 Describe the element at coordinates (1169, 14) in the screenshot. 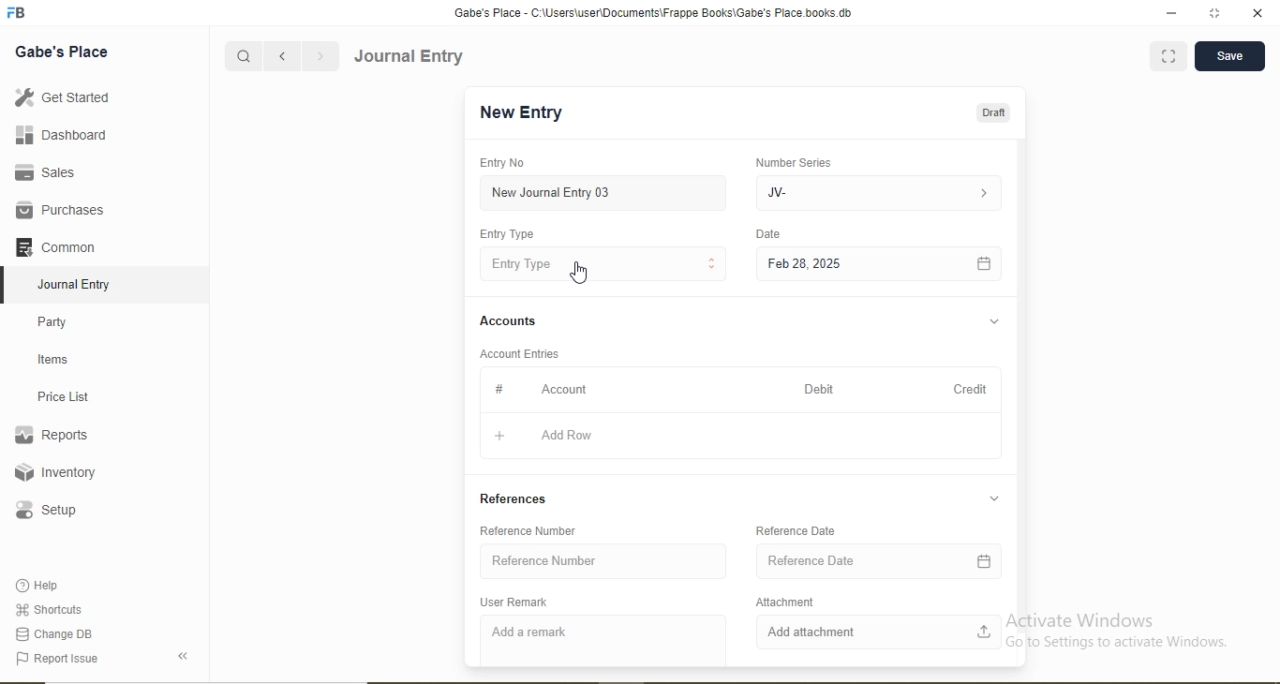

I see `minimize` at that location.